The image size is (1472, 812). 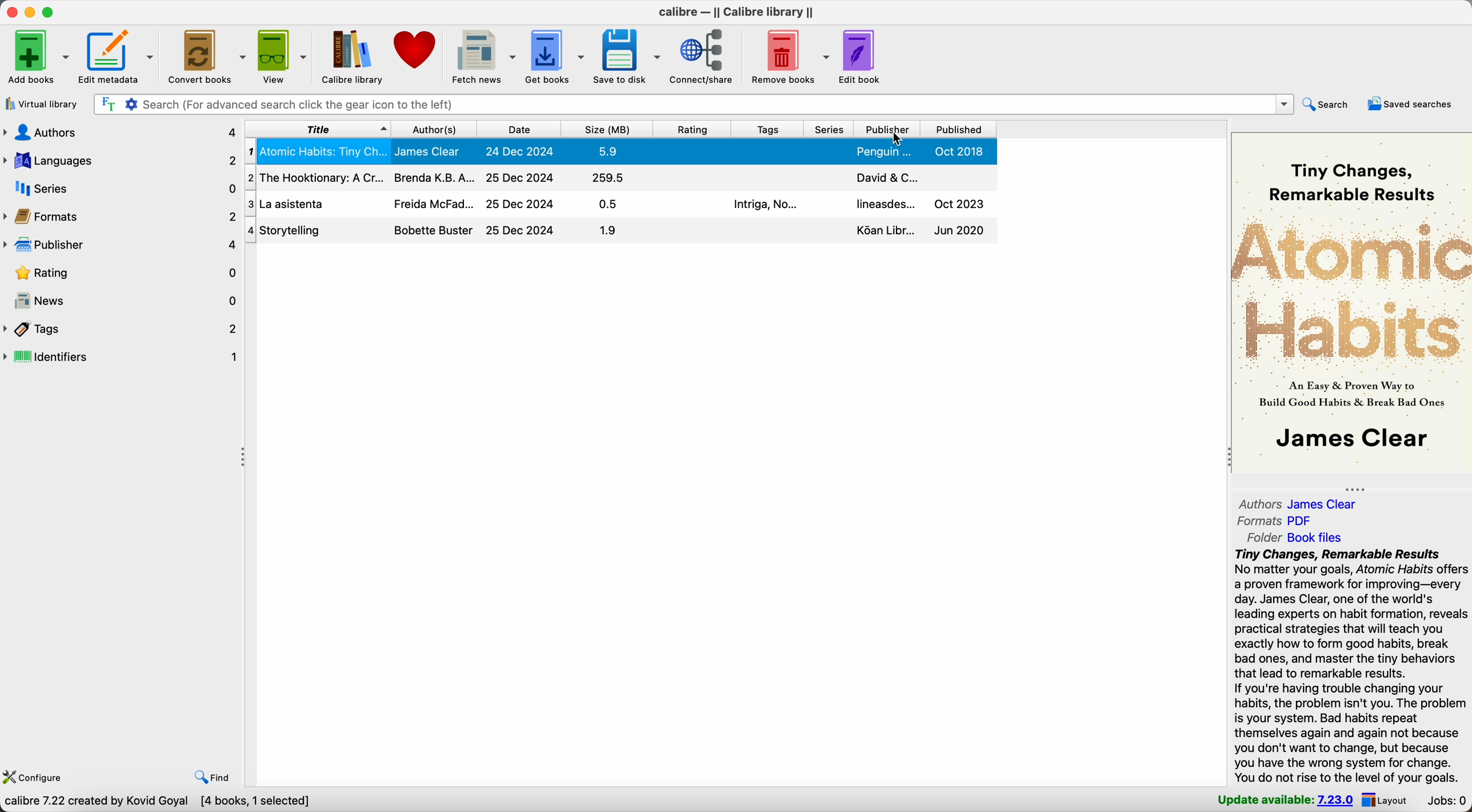 I want to click on formats PDF, so click(x=1279, y=521).